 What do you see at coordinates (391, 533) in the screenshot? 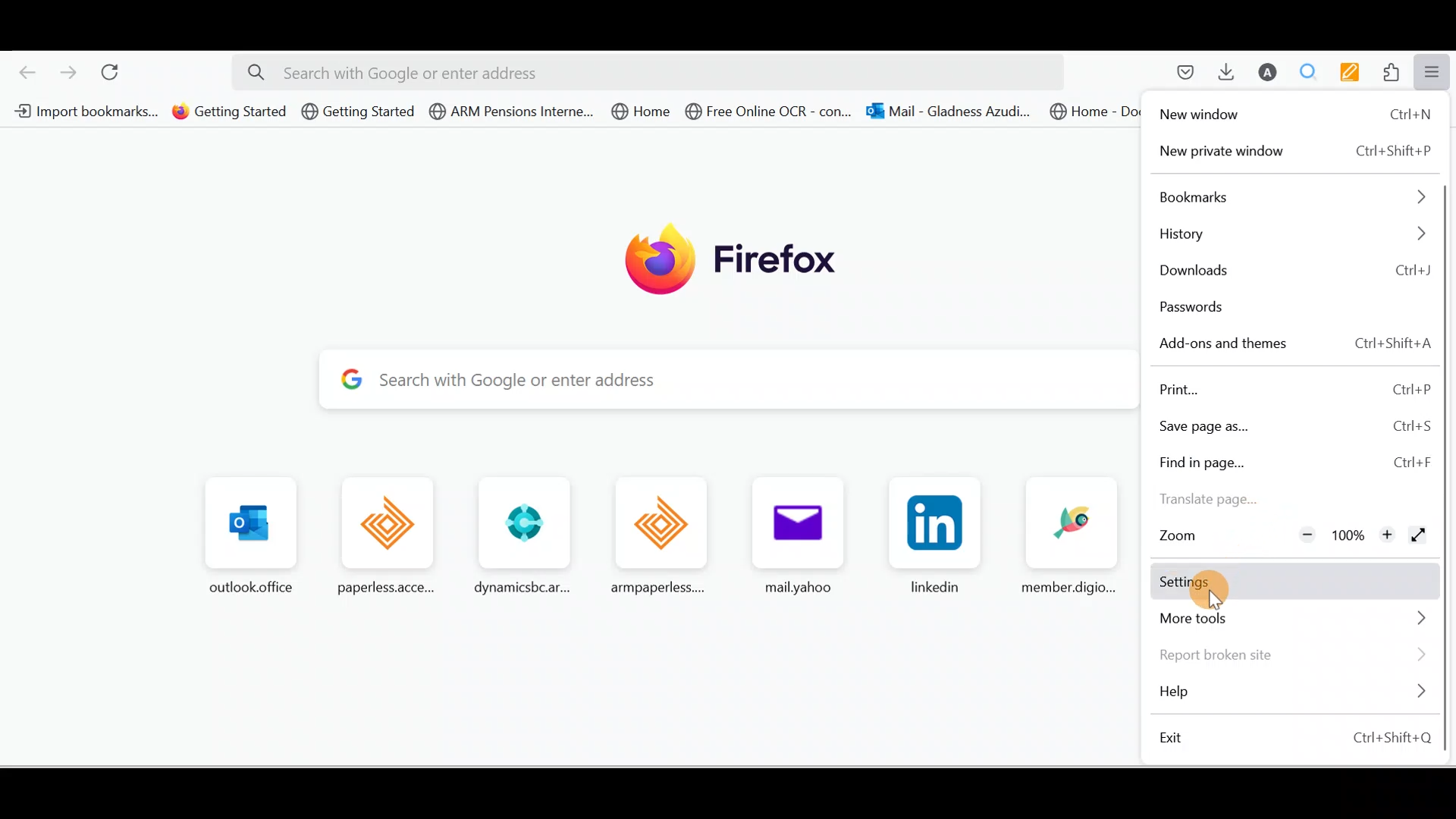
I see `Frequently browsed page` at bounding box center [391, 533].